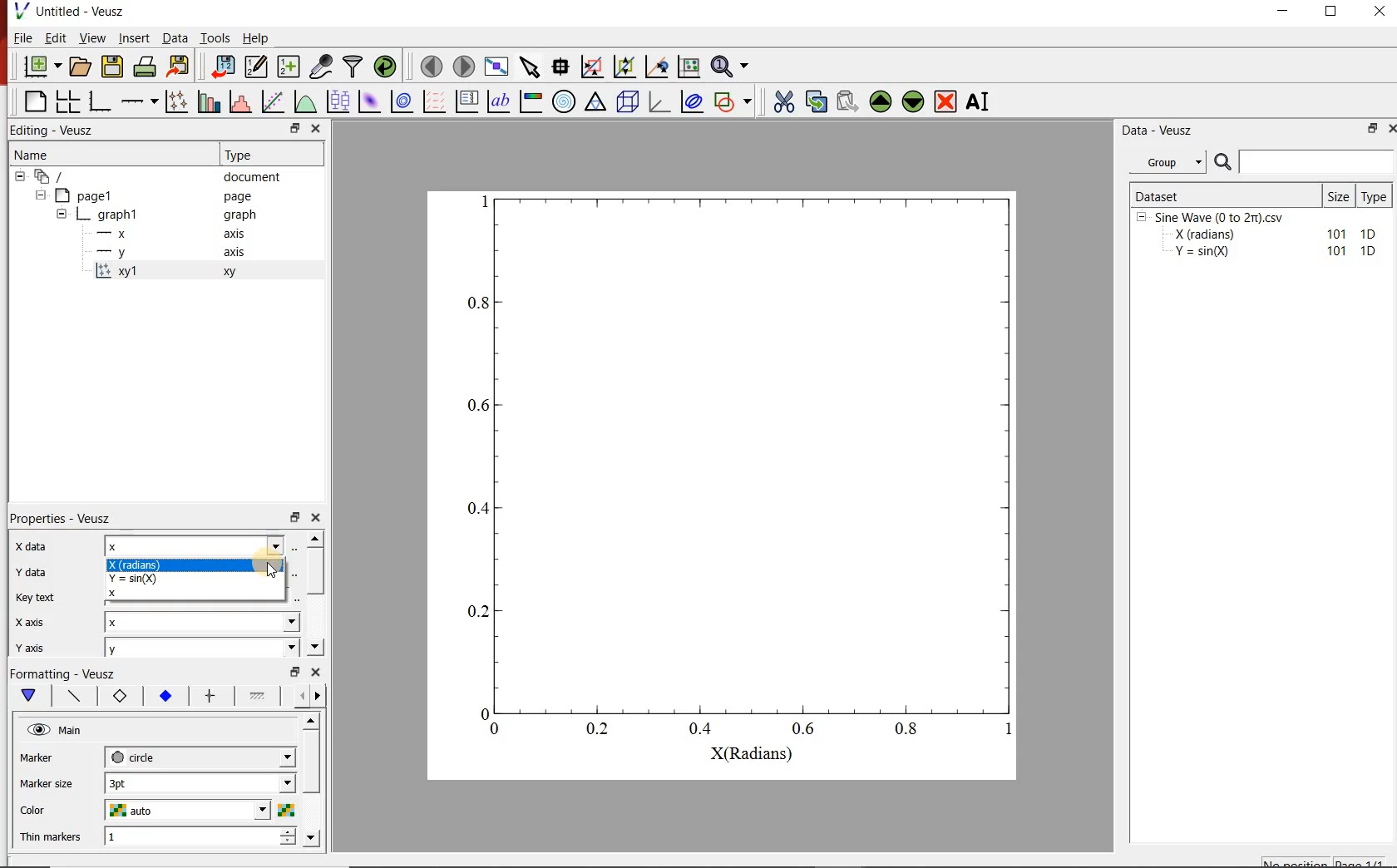 The width and height of the screenshot is (1397, 868). Describe the element at coordinates (531, 101) in the screenshot. I see `image color bar` at that location.